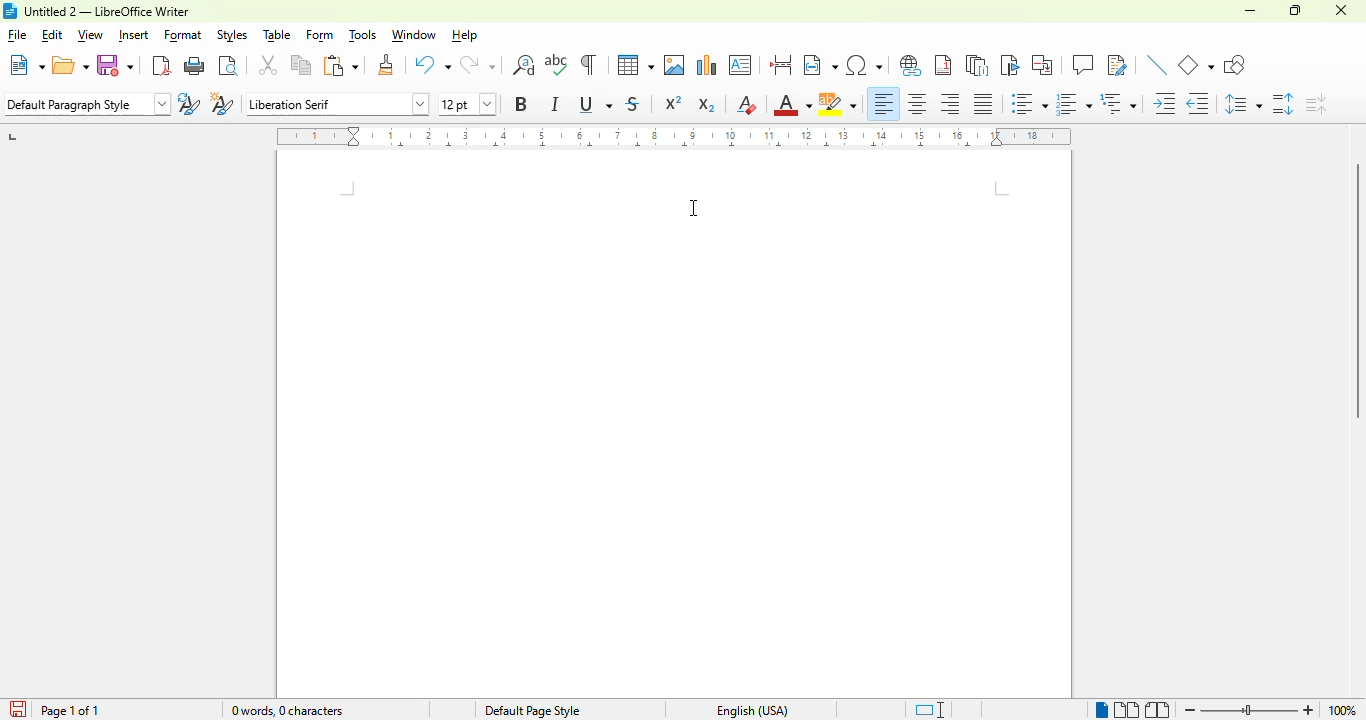 Image resolution: width=1366 pixels, height=720 pixels. What do you see at coordinates (1101, 710) in the screenshot?
I see `single-page view` at bounding box center [1101, 710].